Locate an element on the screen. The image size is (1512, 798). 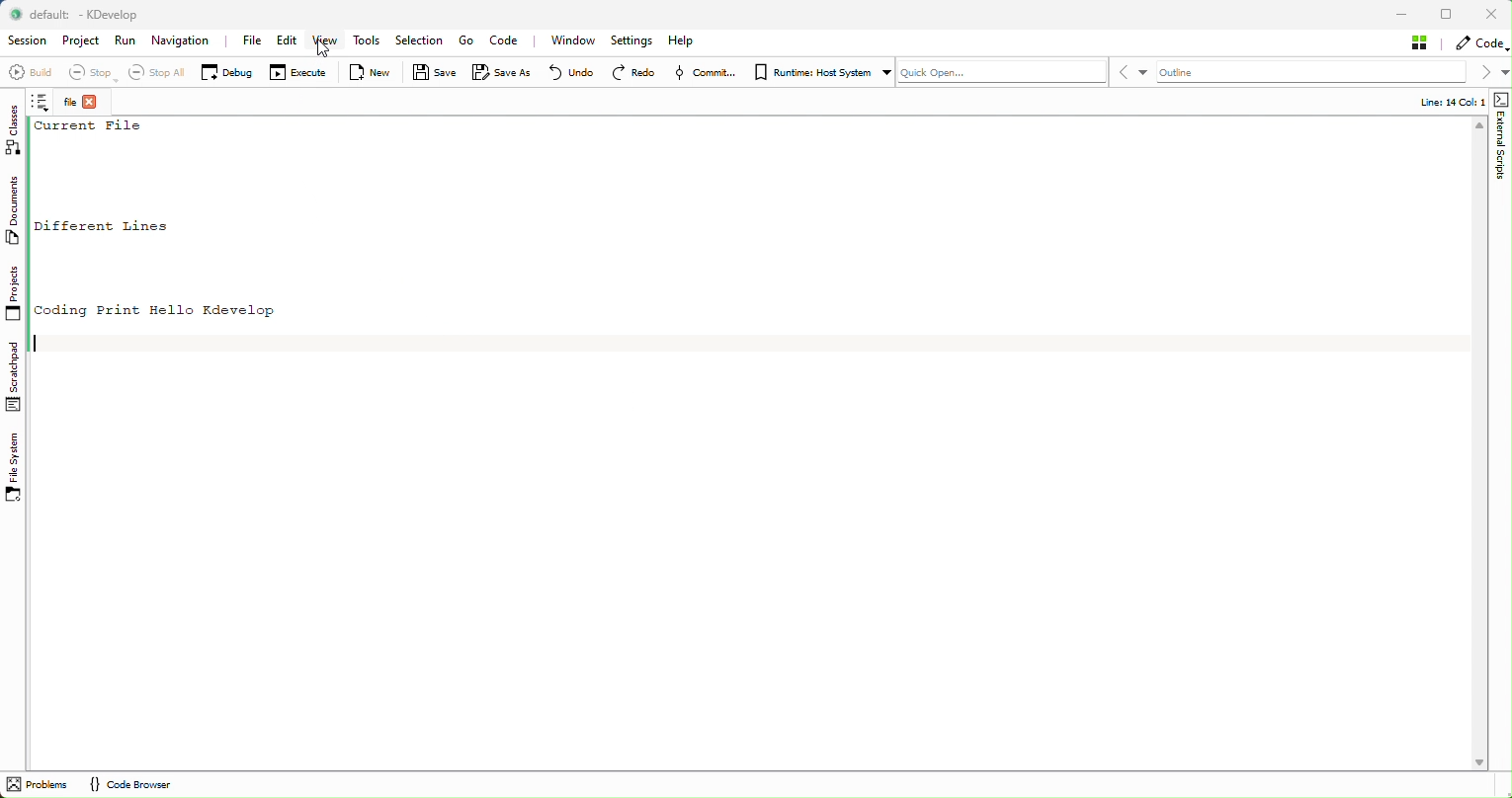
Build is located at coordinates (30, 75).